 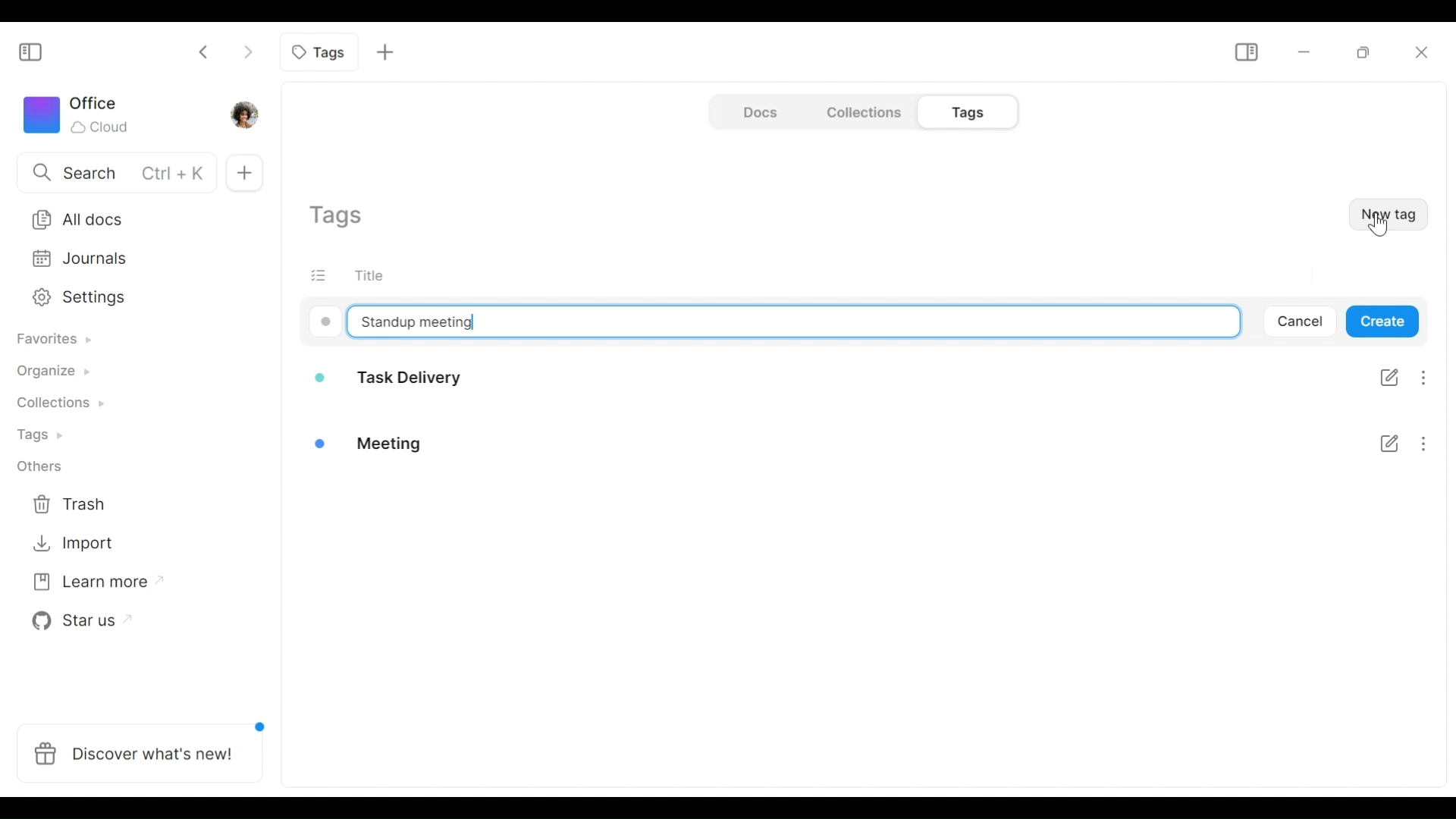 I want to click on Tags, so click(x=962, y=113).